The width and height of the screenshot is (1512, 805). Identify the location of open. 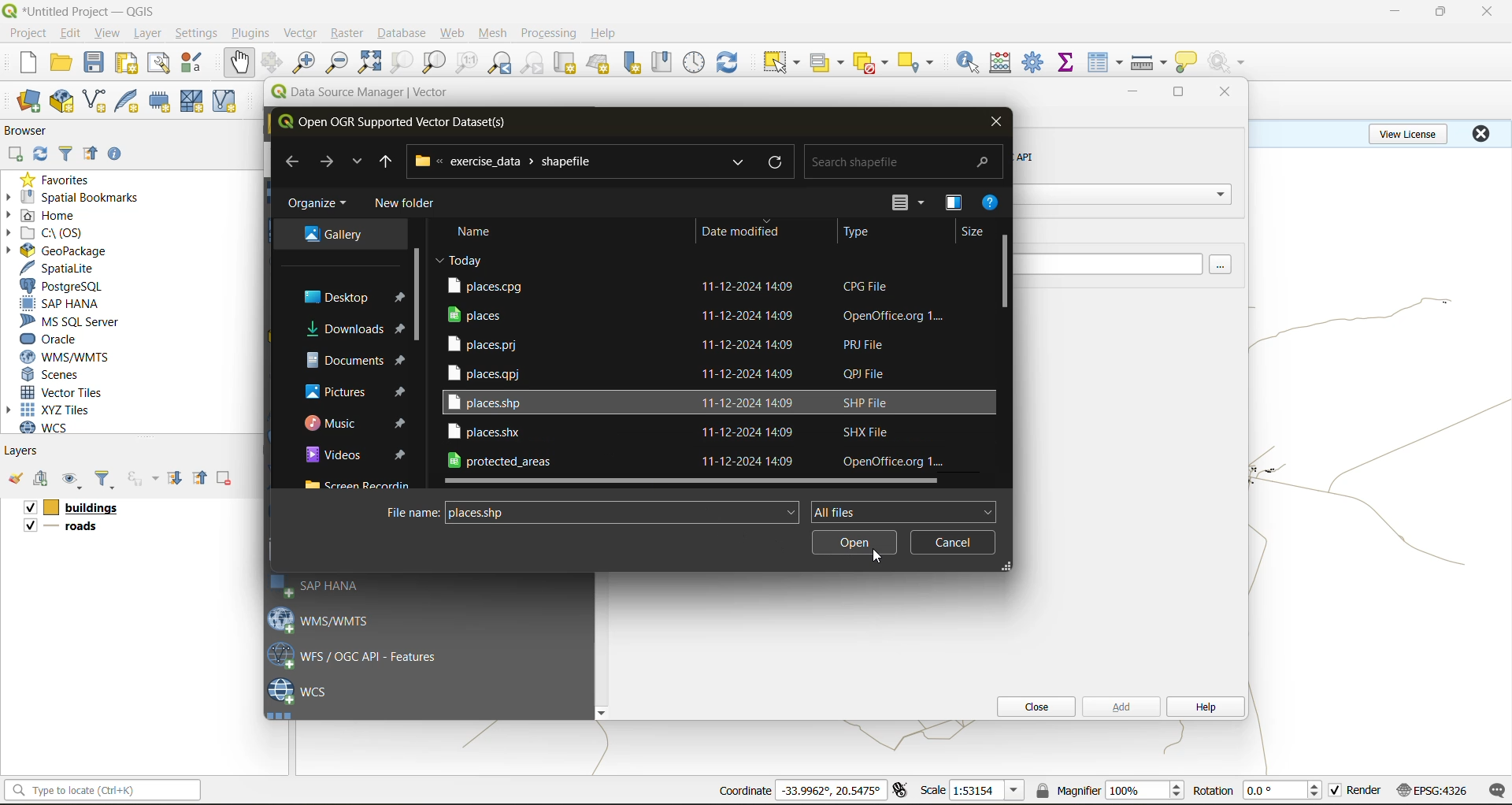
(855, 544).